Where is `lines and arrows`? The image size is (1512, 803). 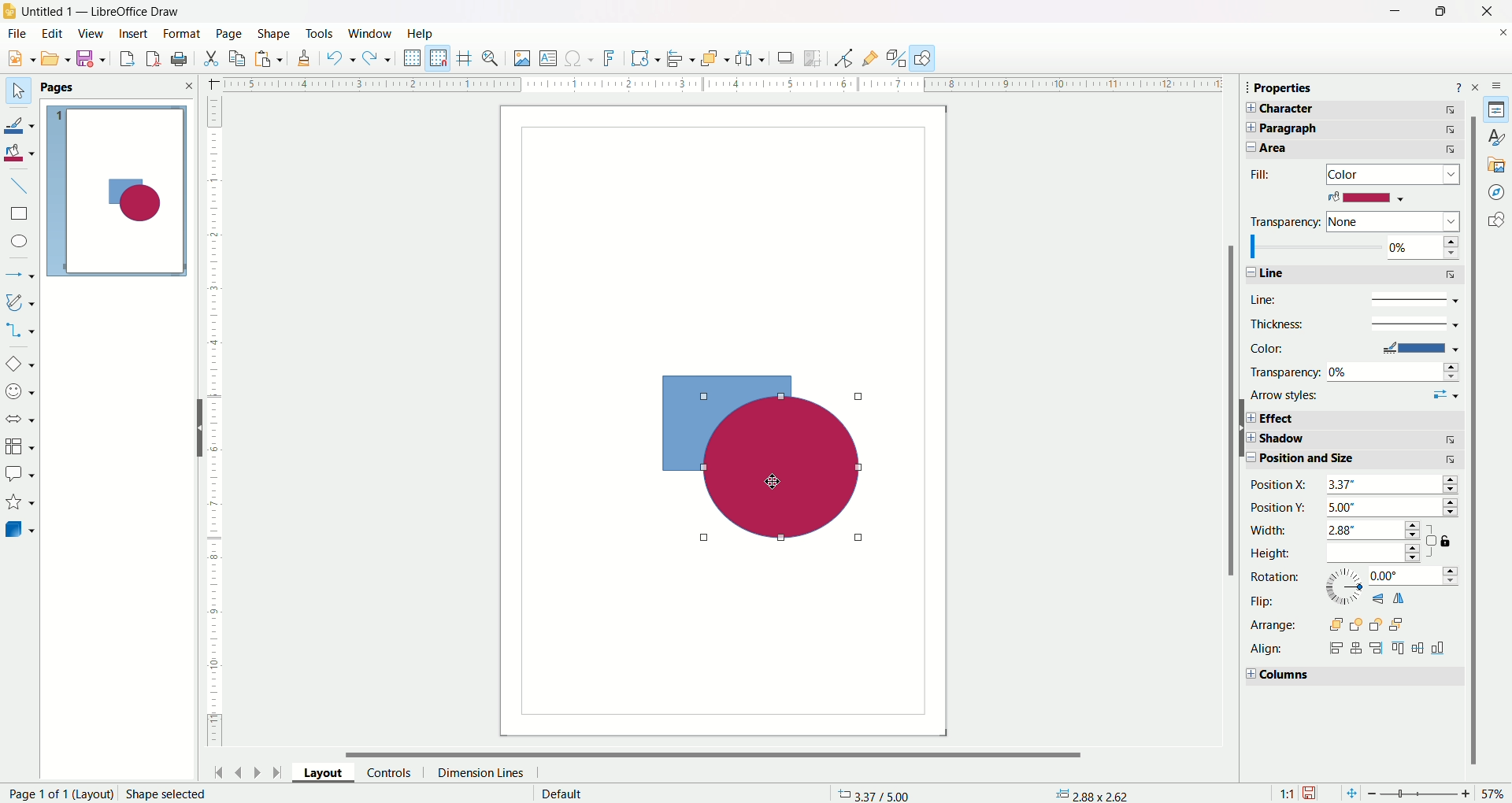 lines and arrows is located at coordinates (21, 272).